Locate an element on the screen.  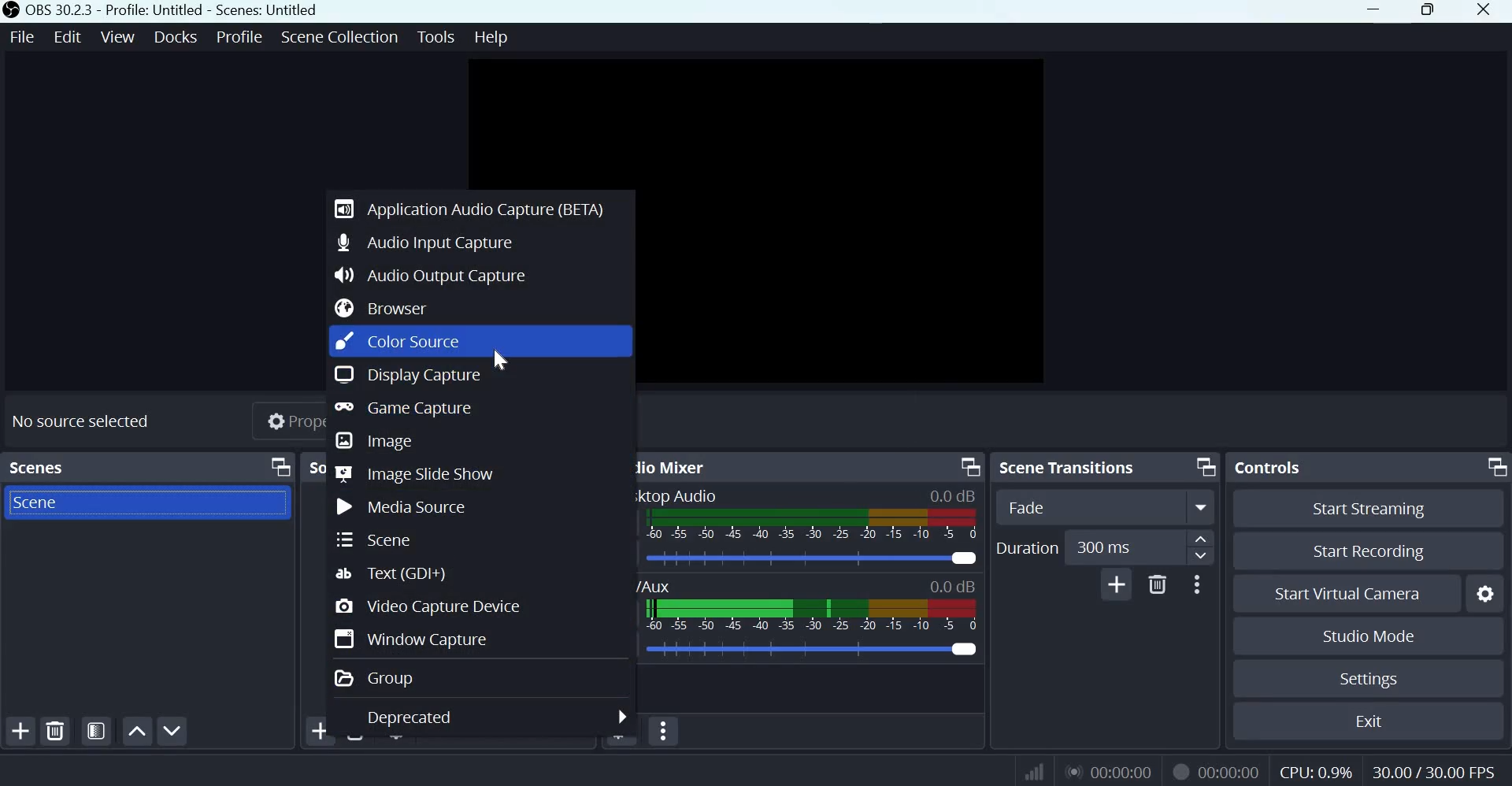
CPU Usage is located at coordinates (1314, 773).